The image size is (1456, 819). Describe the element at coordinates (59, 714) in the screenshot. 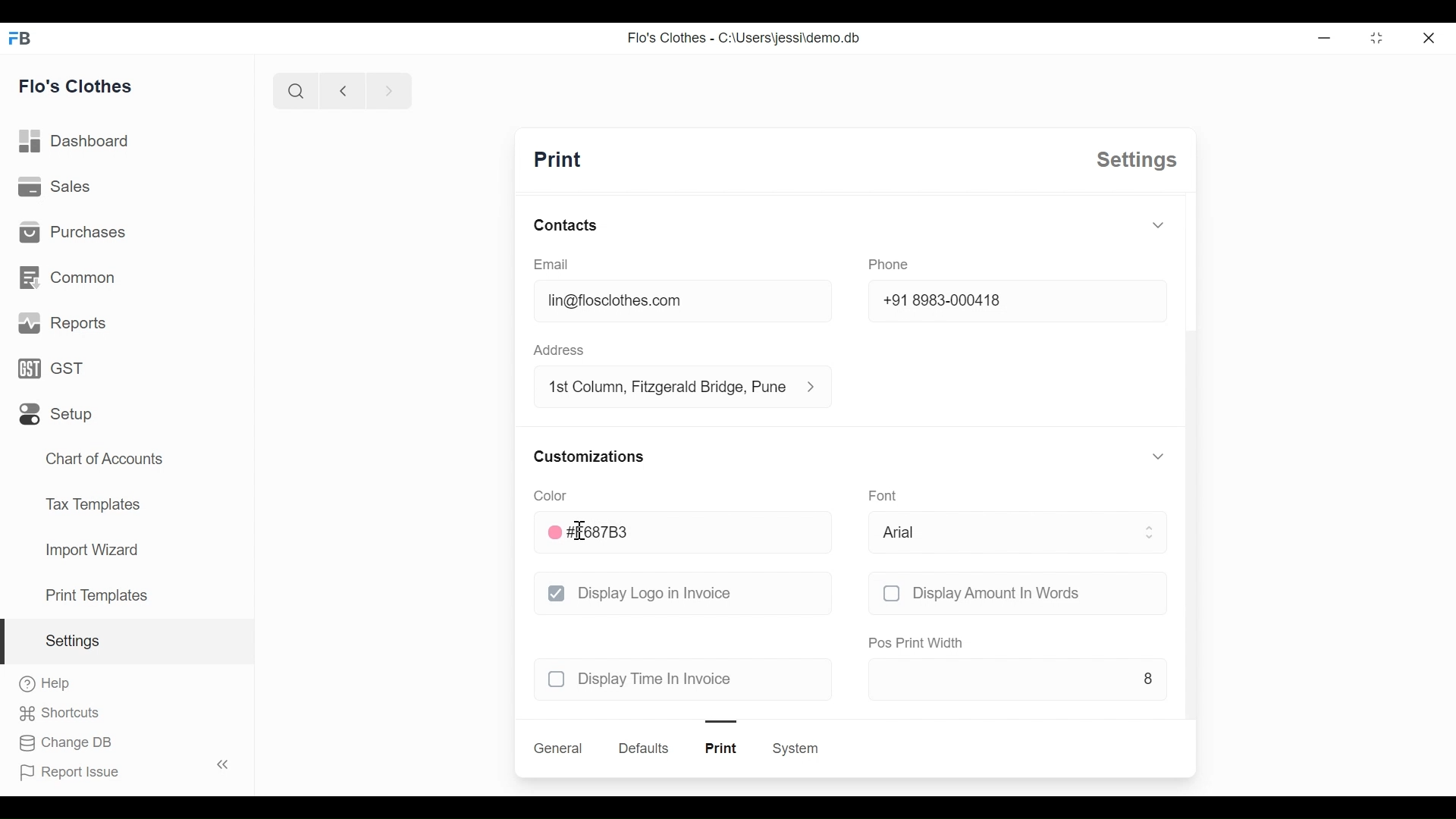

I see `shortcuts` at that location.